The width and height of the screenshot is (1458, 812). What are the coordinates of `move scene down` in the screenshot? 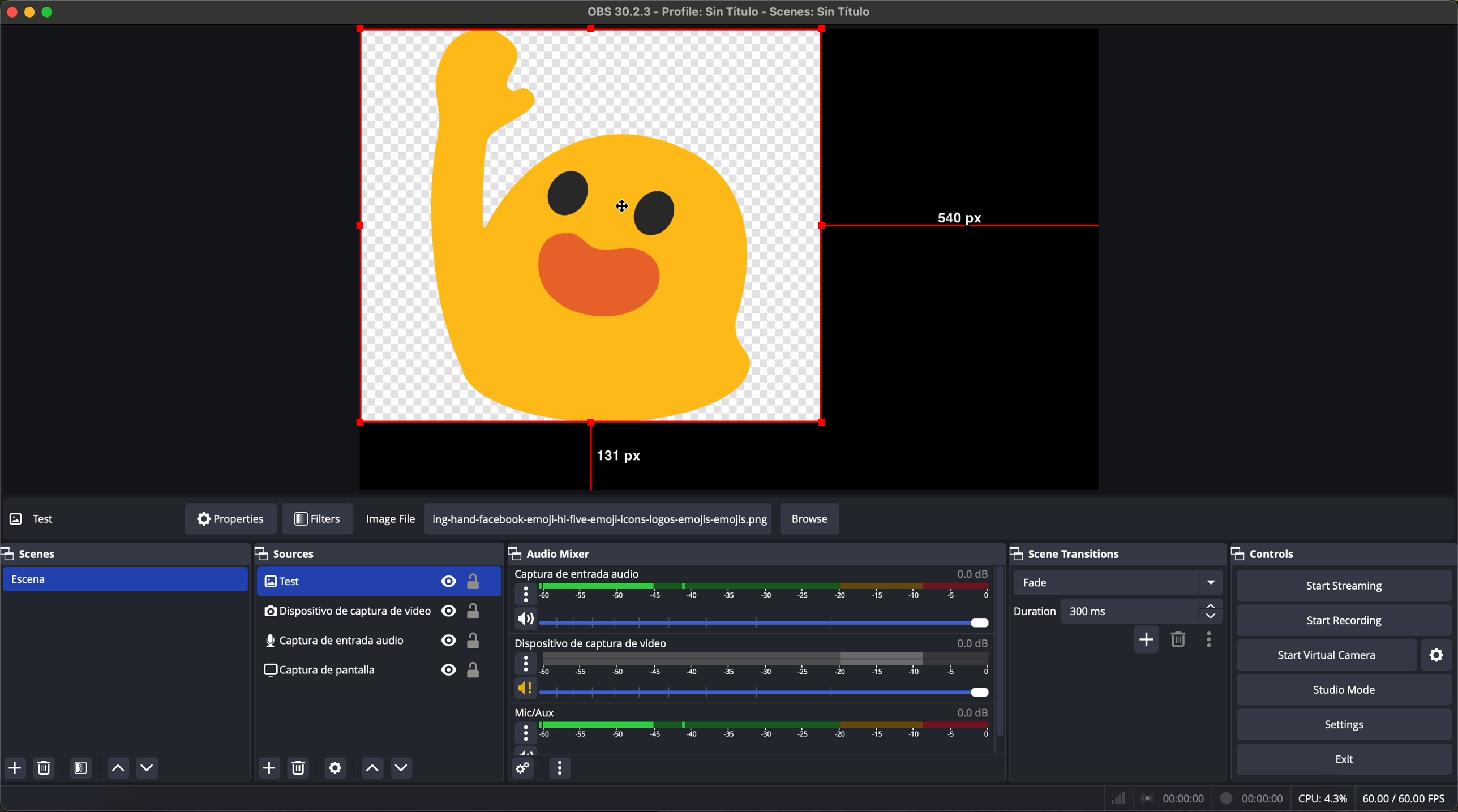 It's located at (147, 770).